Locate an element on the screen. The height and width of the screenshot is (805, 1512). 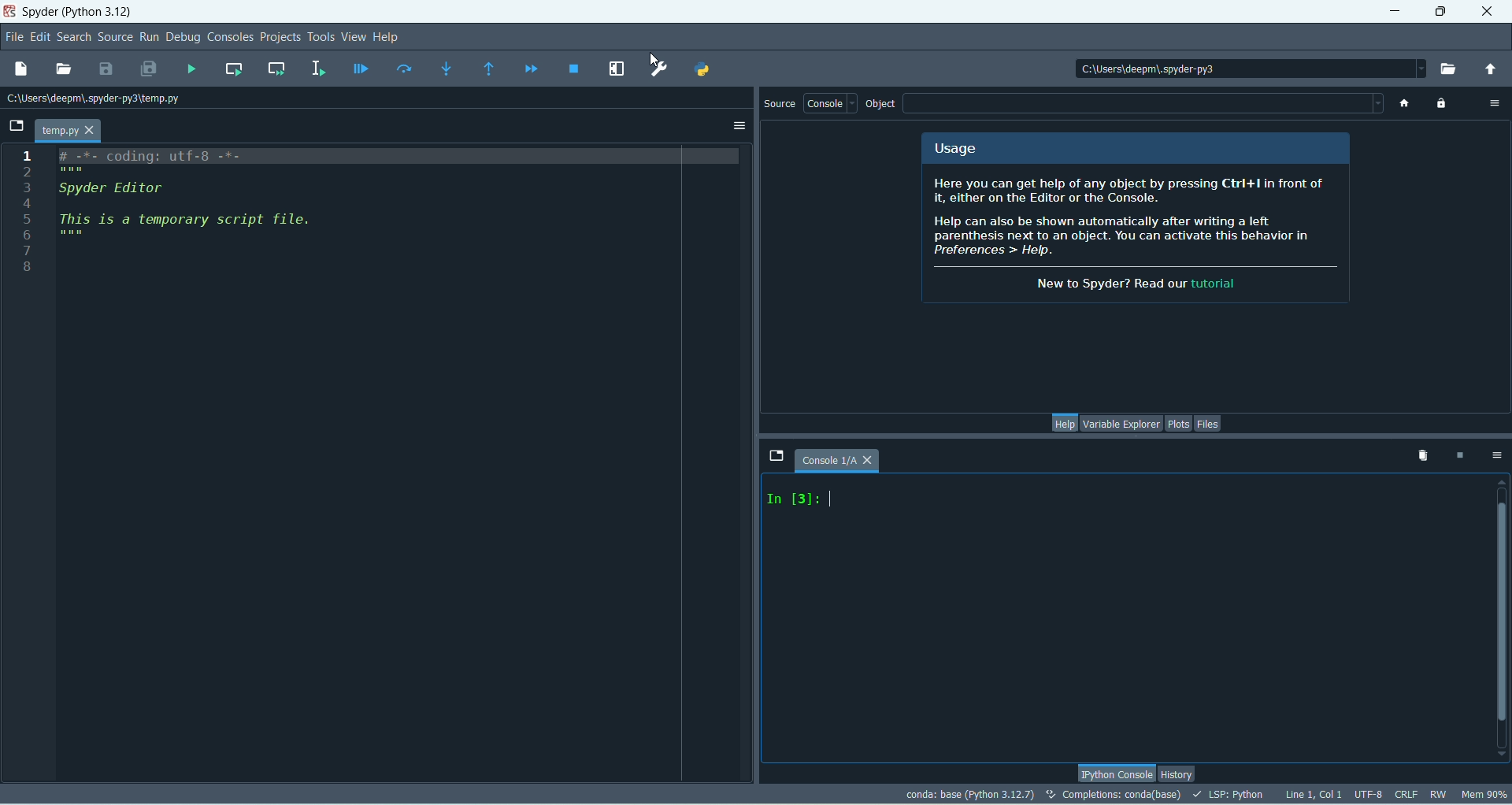
minimize is located at coordinates (1397, 12).